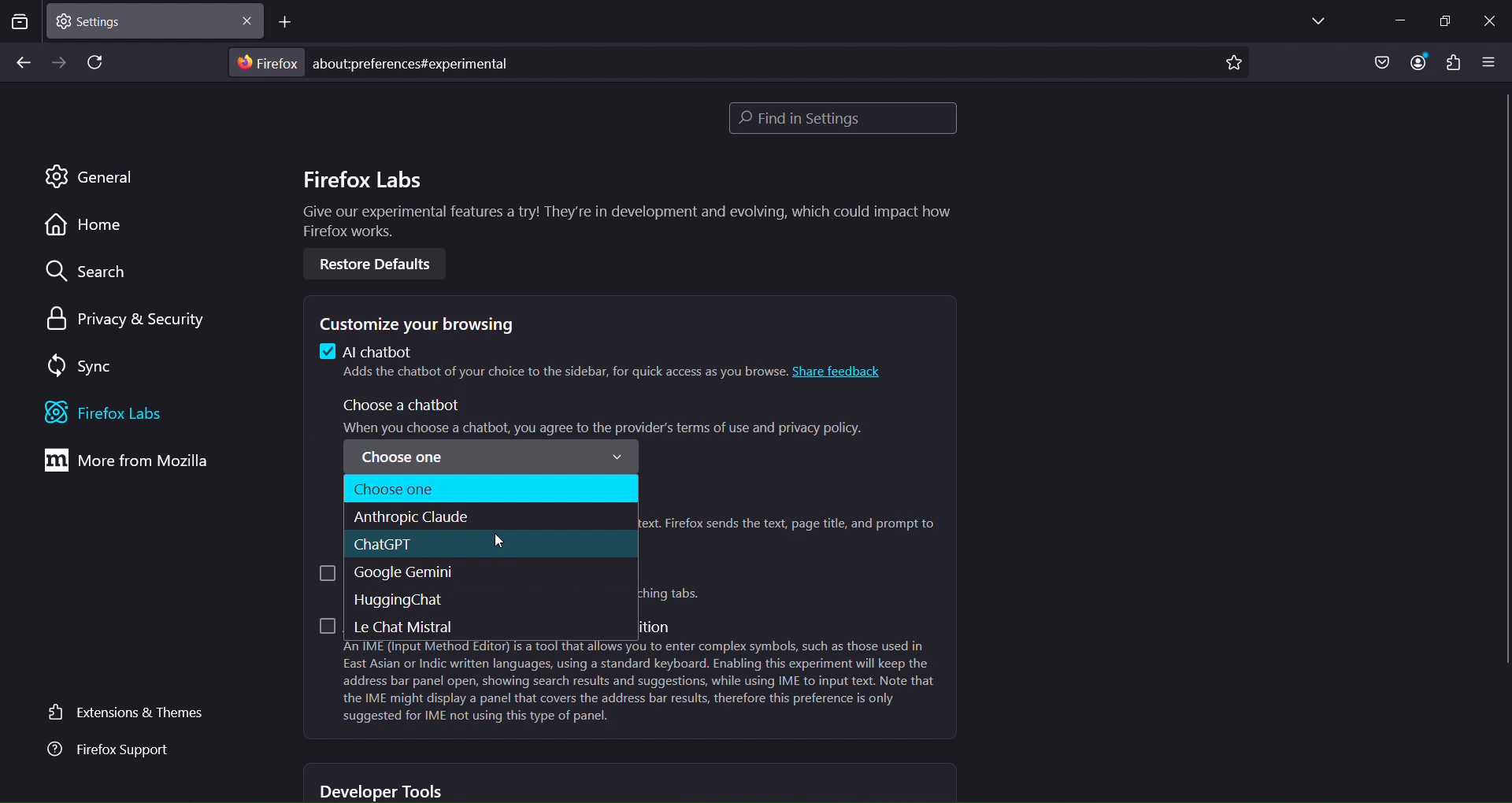 The height and width of the screenshot is (803, 1512). Describe the element at coordinates (400, 597) in the screenshot. I see `hugging chat` at that location.